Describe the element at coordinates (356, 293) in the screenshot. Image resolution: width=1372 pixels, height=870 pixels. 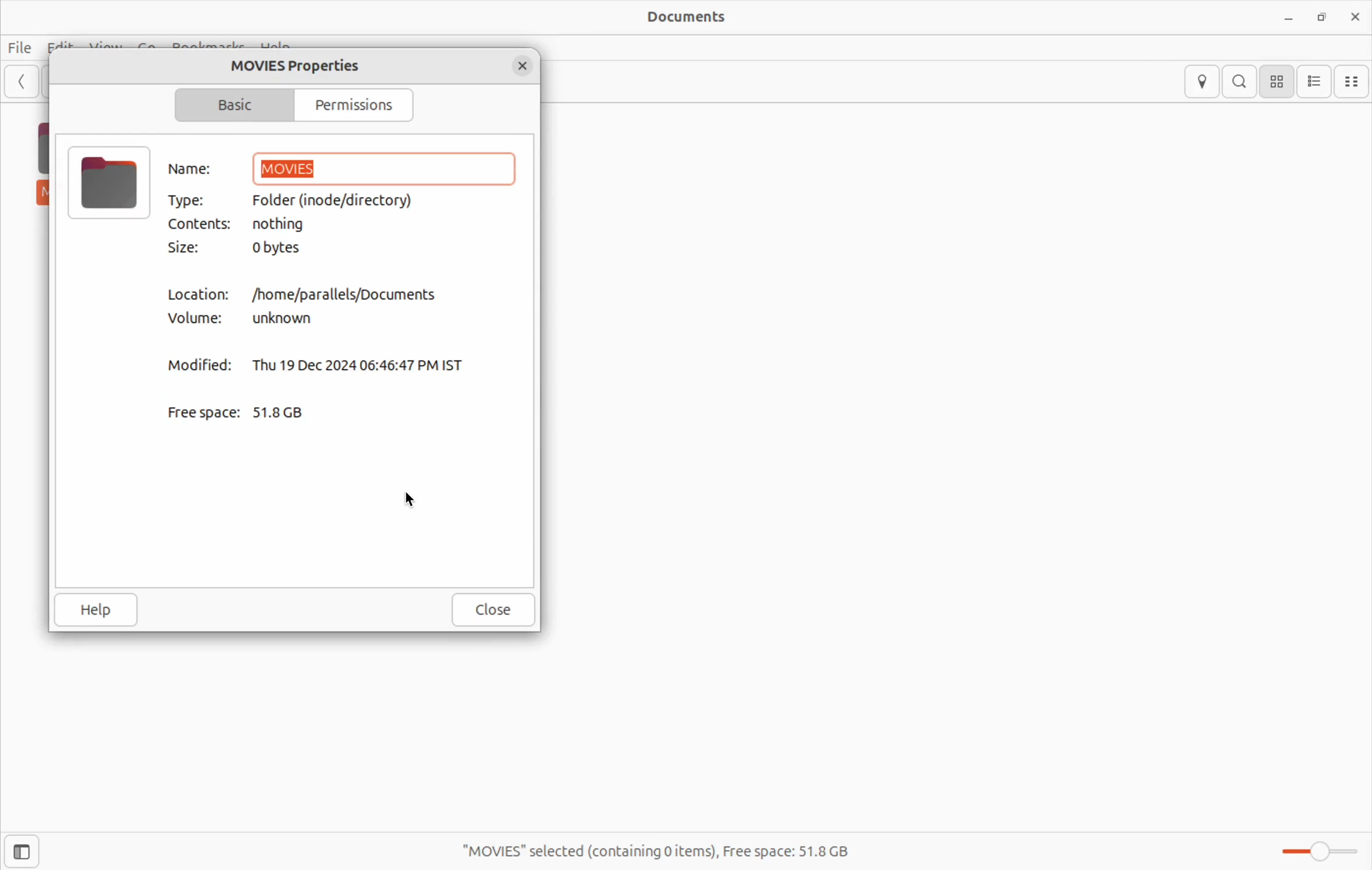
I see `/home/parallels/Documents` at that location.